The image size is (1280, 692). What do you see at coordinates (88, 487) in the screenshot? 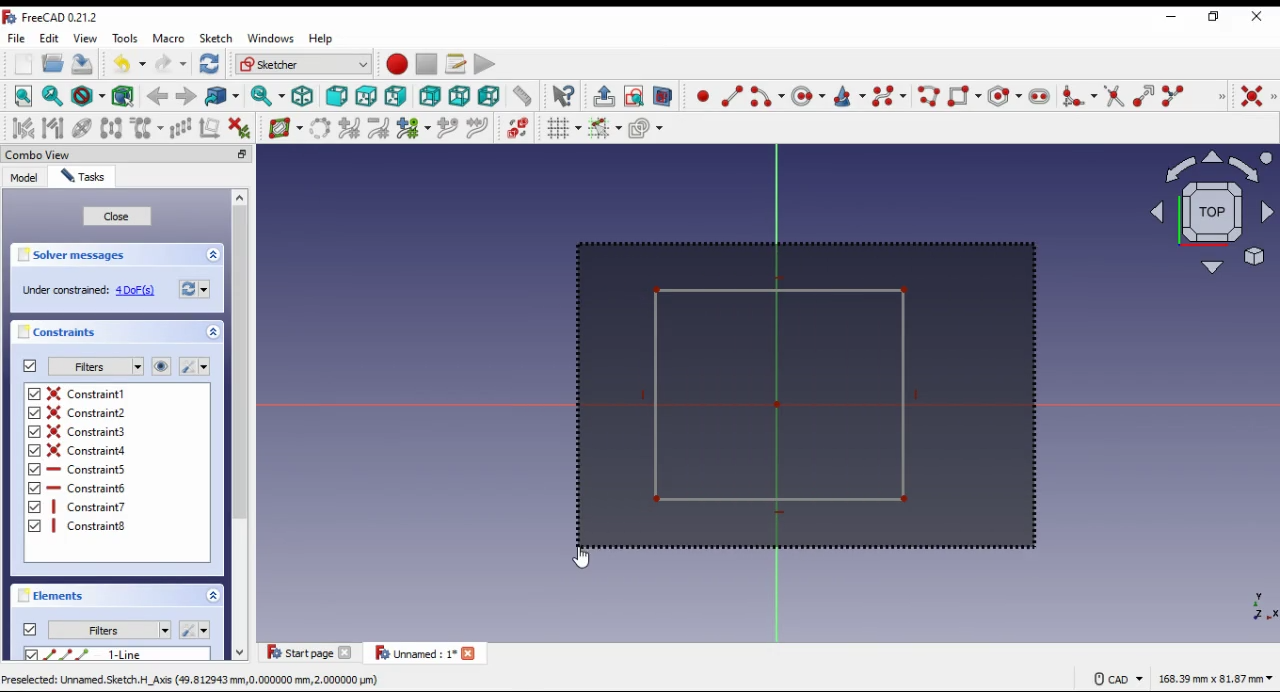
I see `on/off constraint 6` at bounding box center [88, 487].